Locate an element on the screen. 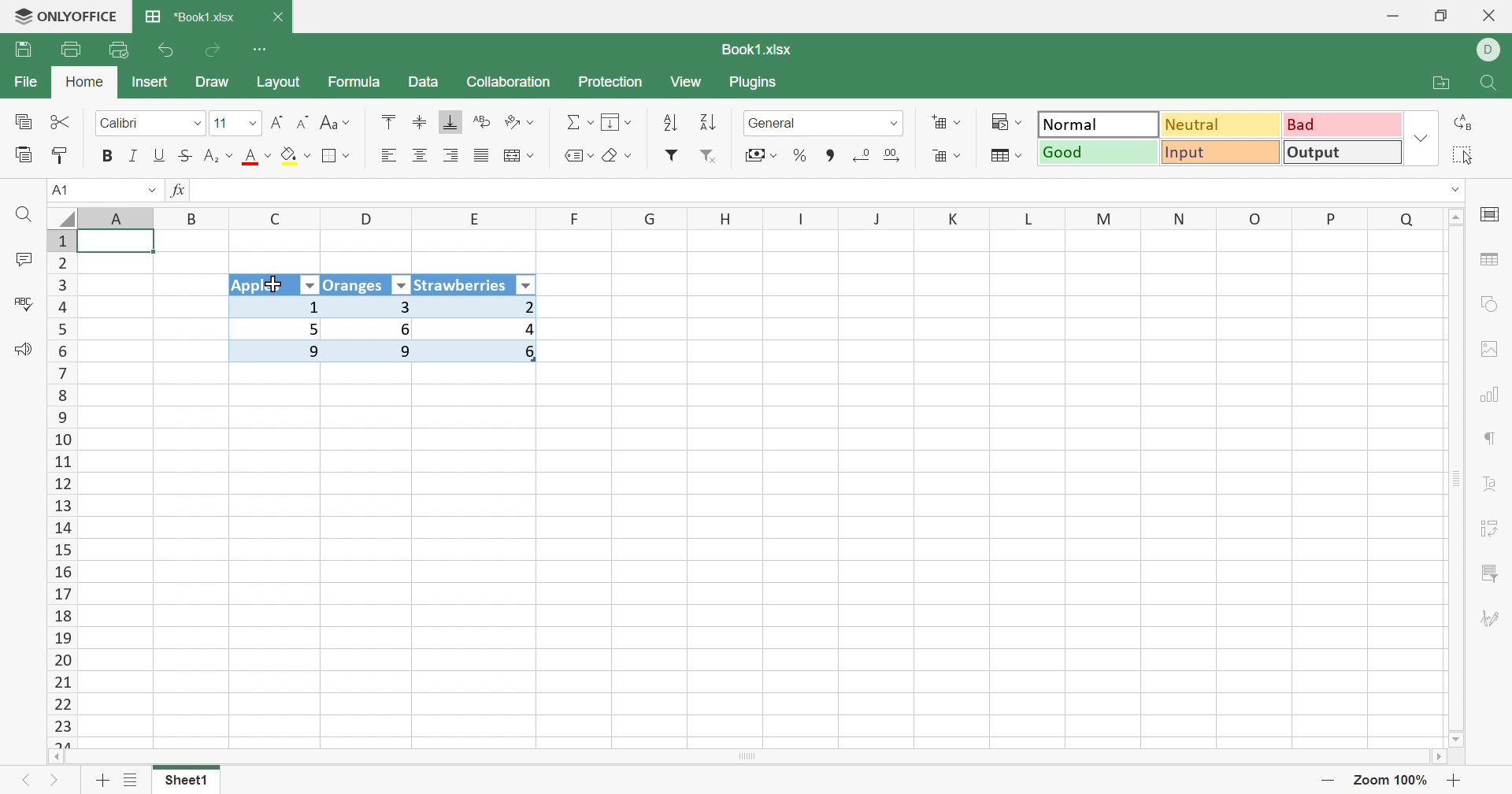 This screenshot has width=1512, height=794. Align Bottom is located at coordinates (451, 122).